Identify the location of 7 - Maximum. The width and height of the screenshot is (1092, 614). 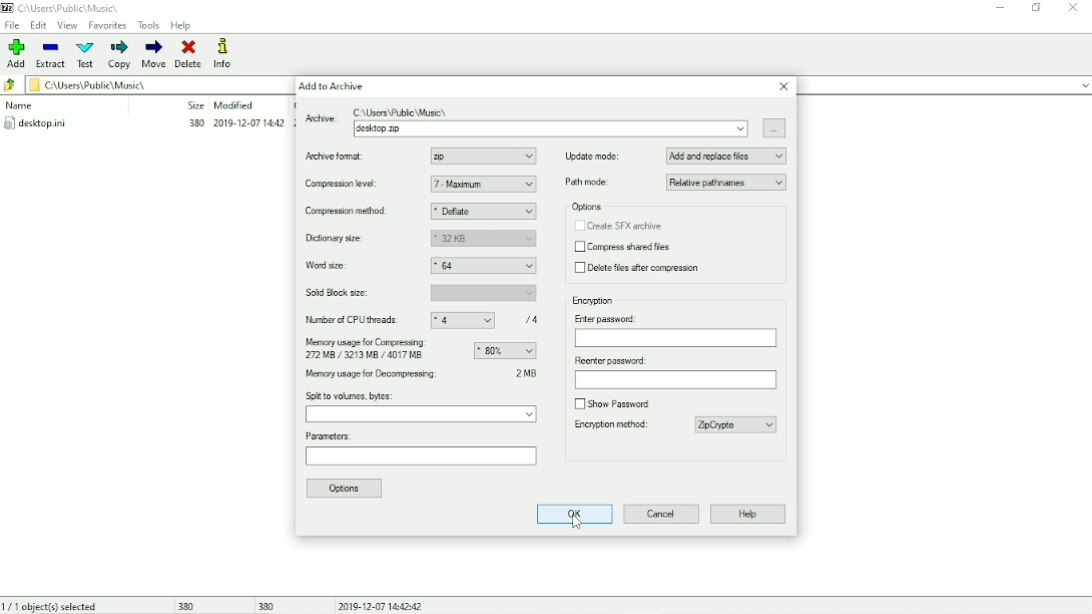
(483, 185).